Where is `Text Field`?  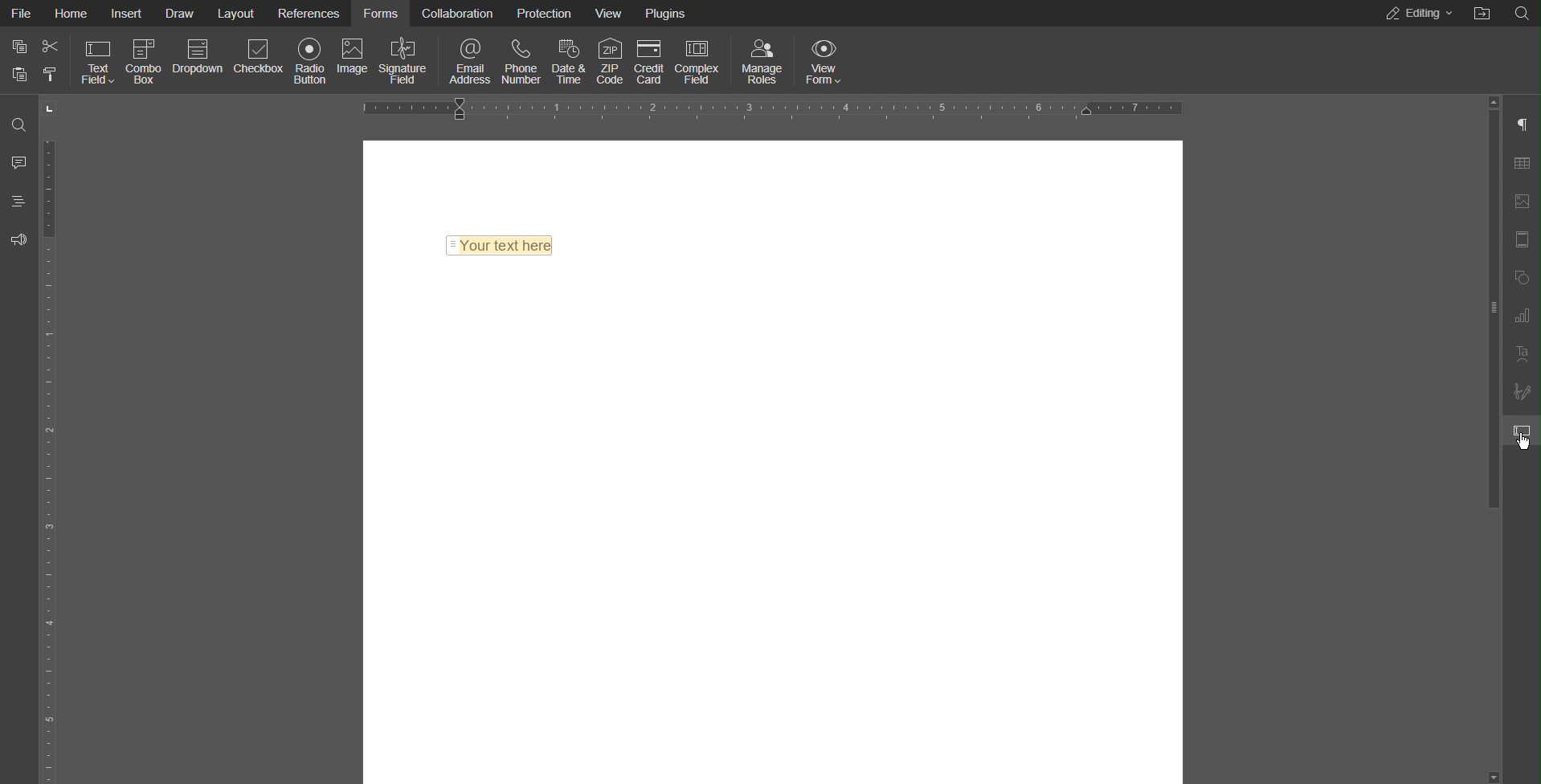
Text Field is located at coordinates (500, 247).